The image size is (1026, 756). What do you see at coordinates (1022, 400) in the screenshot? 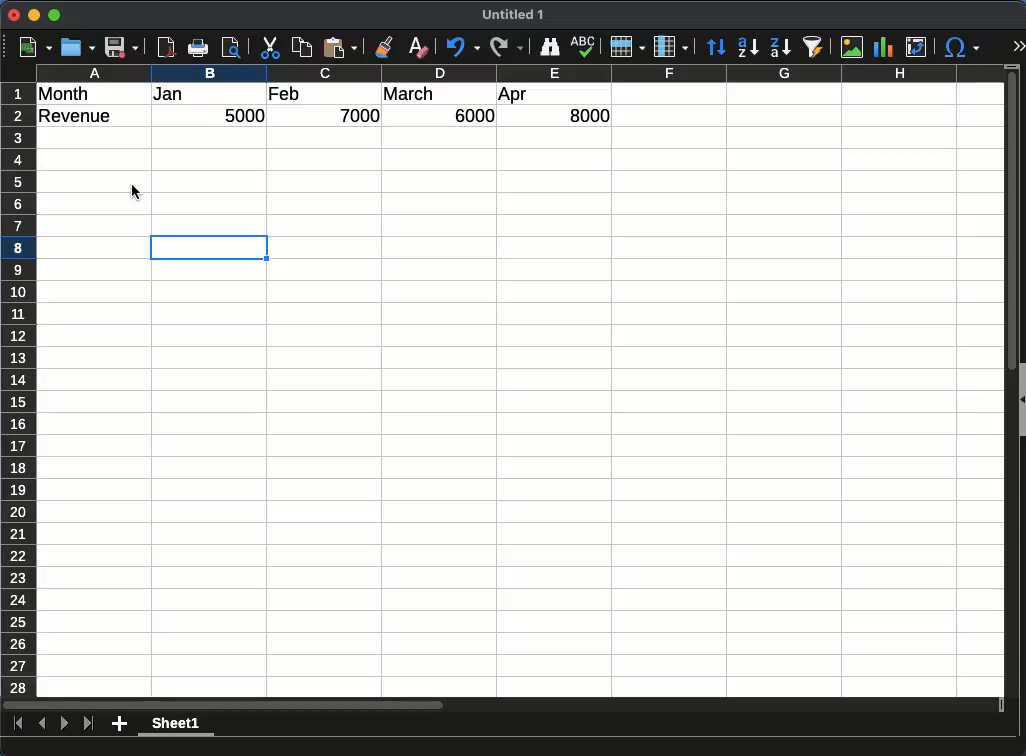
I see `Collapse/Expand` at bounding box center [1022, 400].